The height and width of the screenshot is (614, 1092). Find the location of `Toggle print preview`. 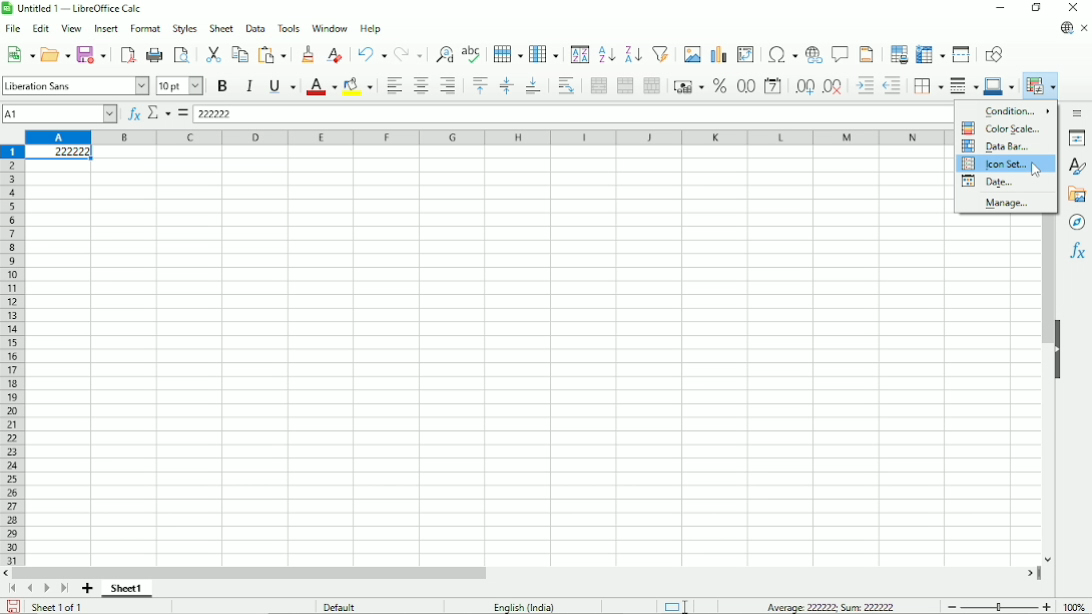

Toggle print preview is located at coordinates (181, 55).